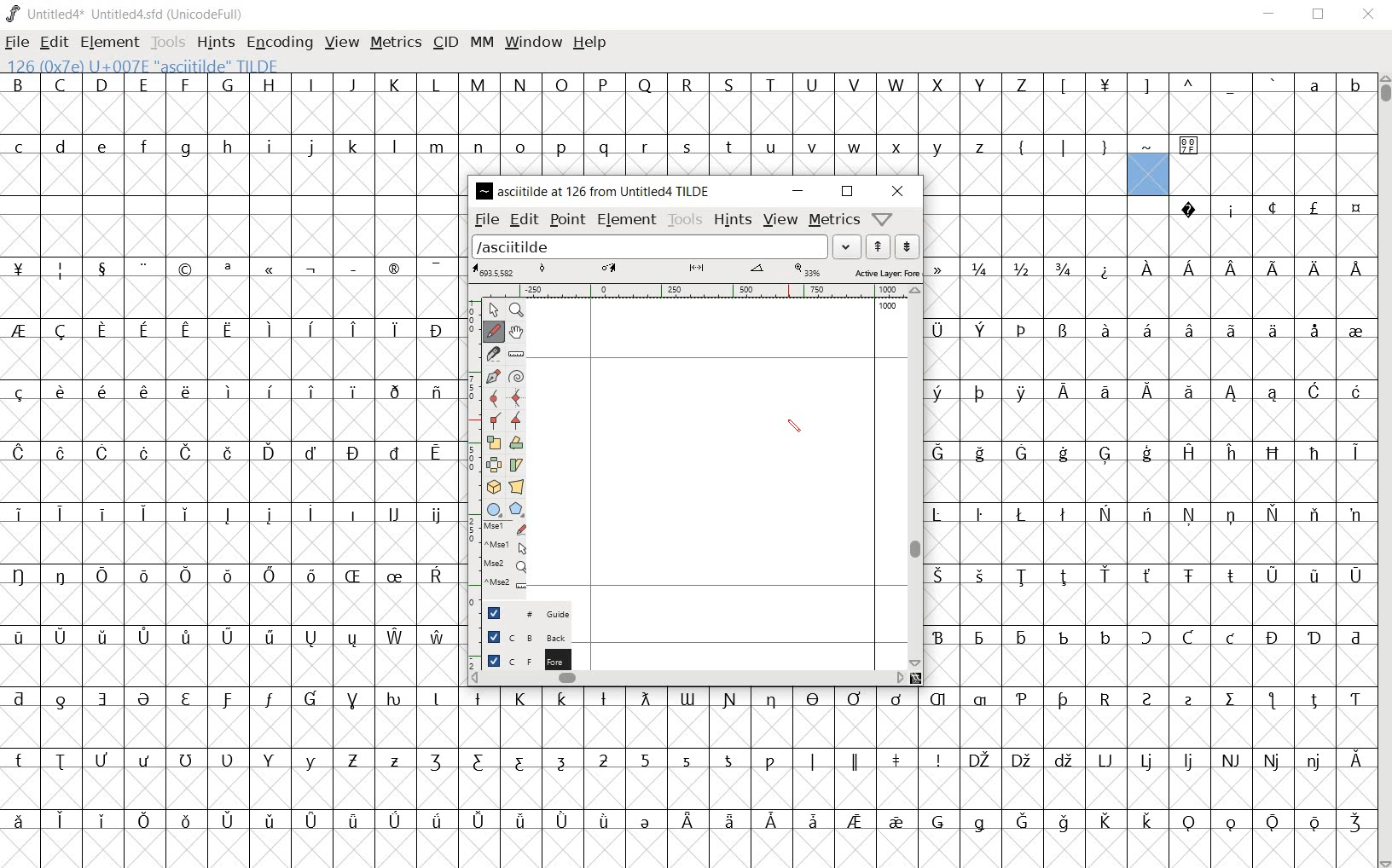 This screenshot has width=1392, height=868. What do you see at coordinates (515, 445) in the screenshot?
I see `Rotate the selection` at bounding box center [515, 445].